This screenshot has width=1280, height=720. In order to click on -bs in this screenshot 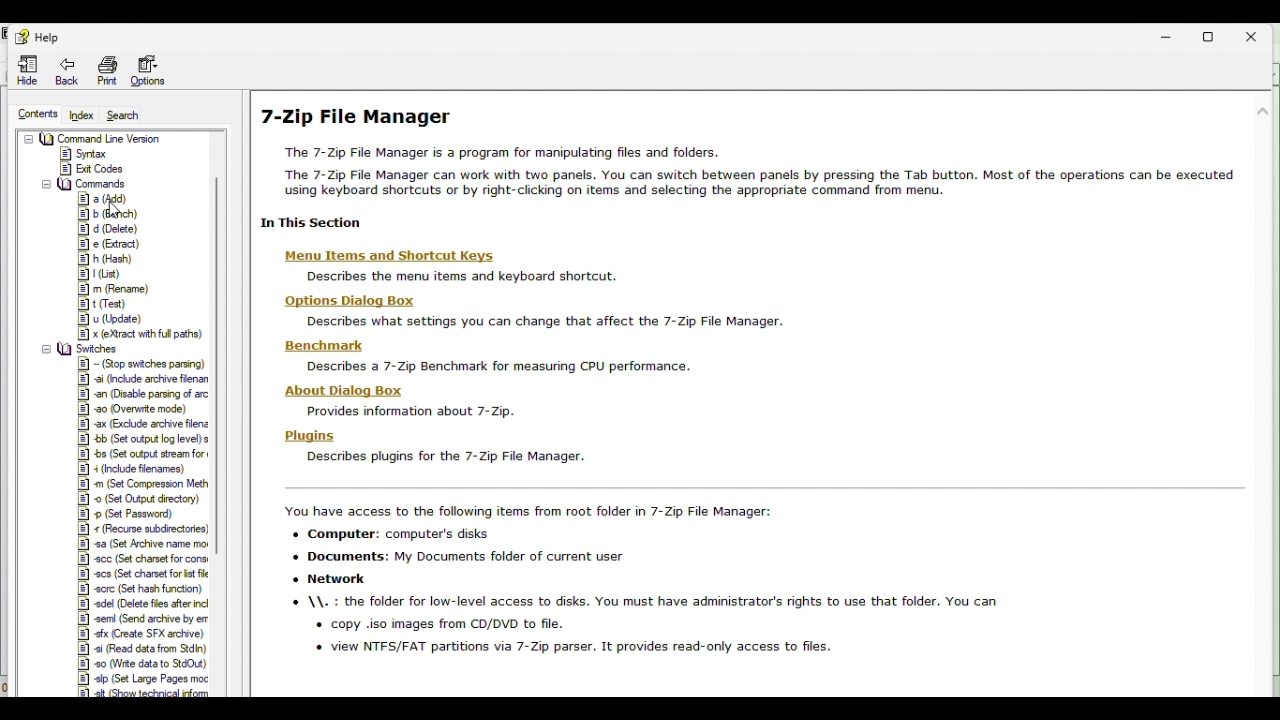, I will do `click(143, 453)`.